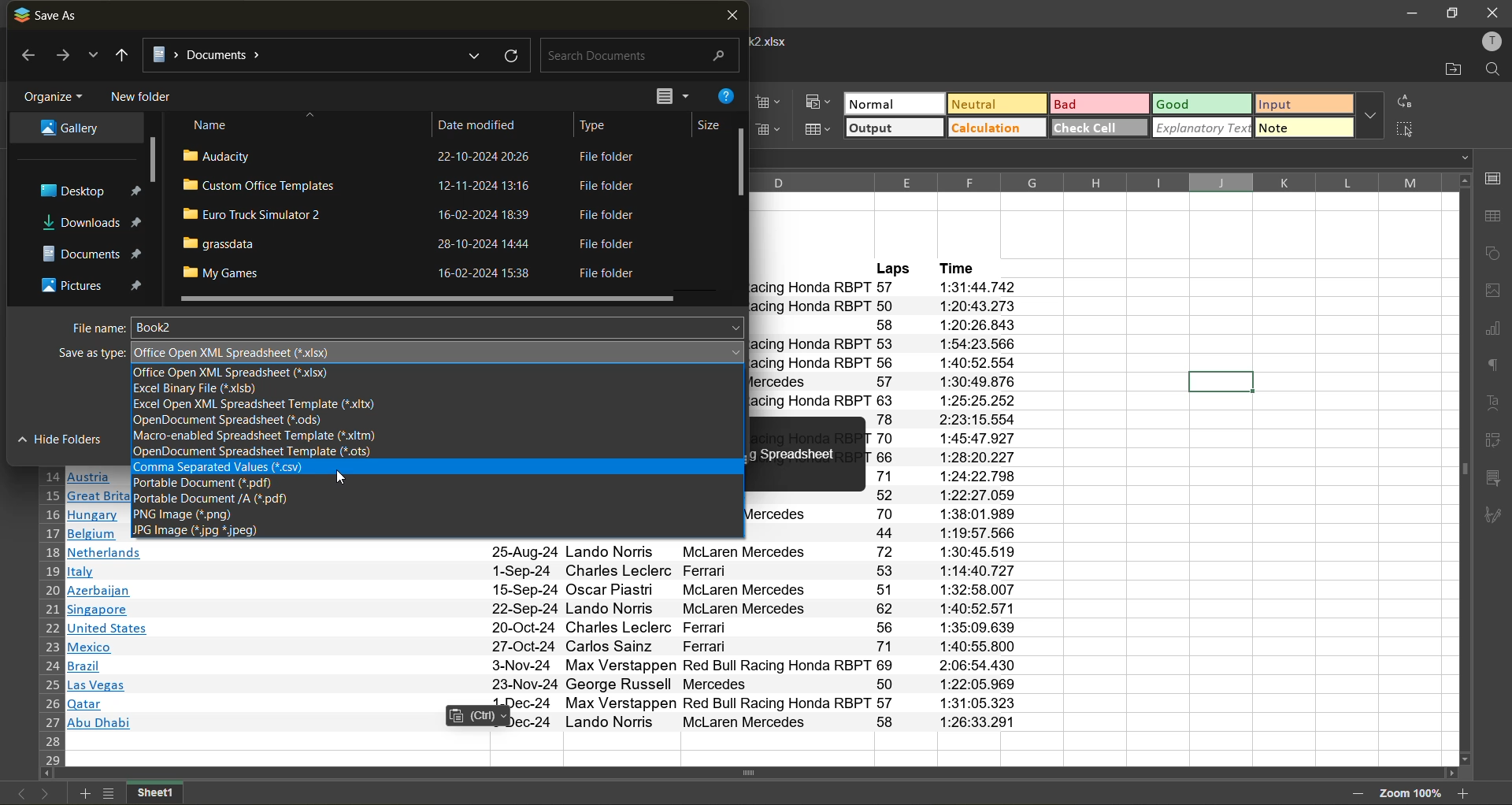  I want to click on format as table, so click(821, 129).